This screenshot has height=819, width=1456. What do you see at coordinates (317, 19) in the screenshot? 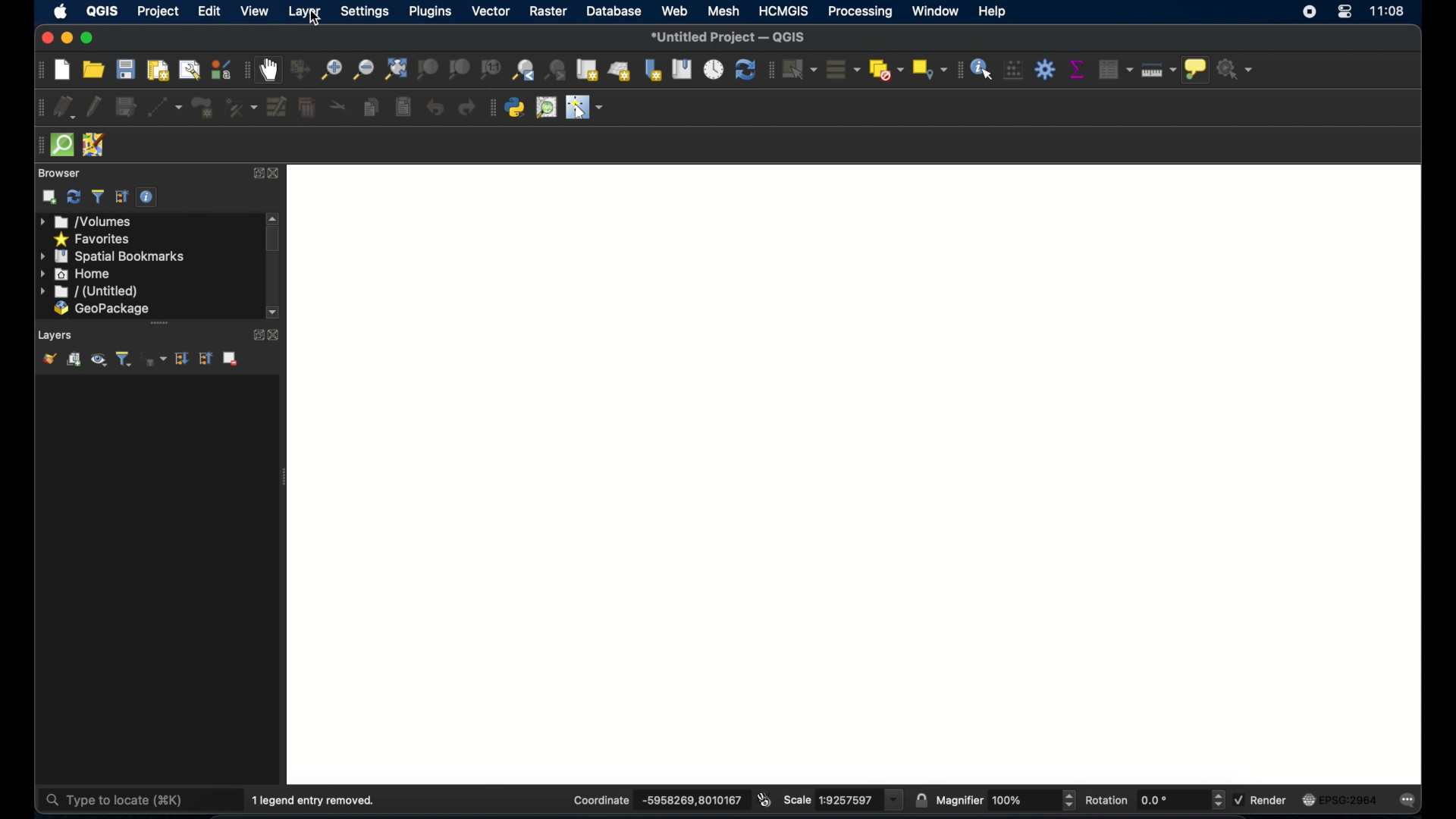
I see `cursor` at bounding box center [317, 19].